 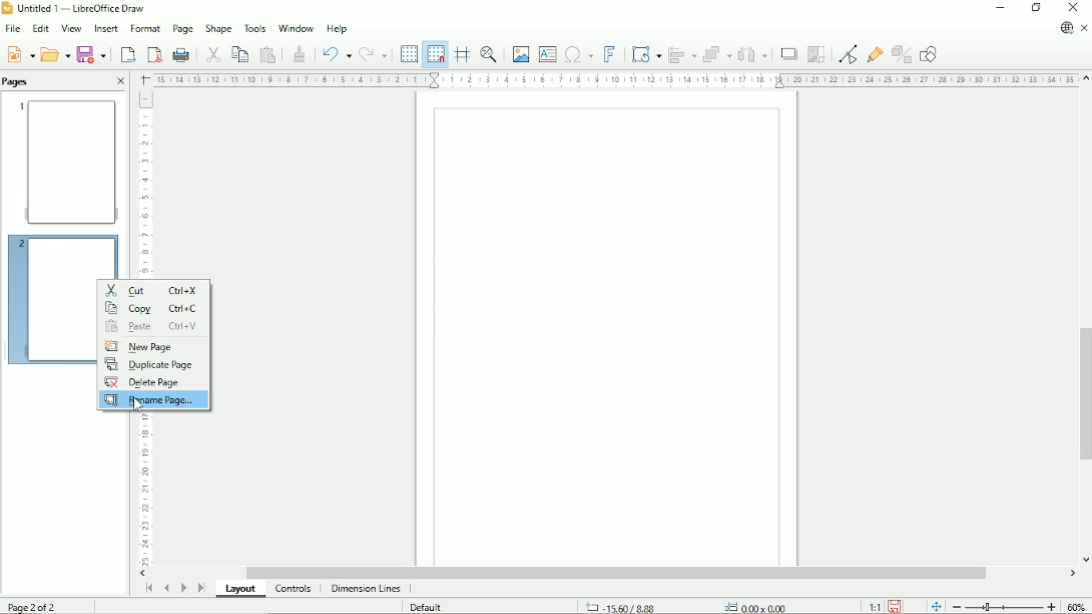 I want to click on Canvas, so click(x=608, y=330).